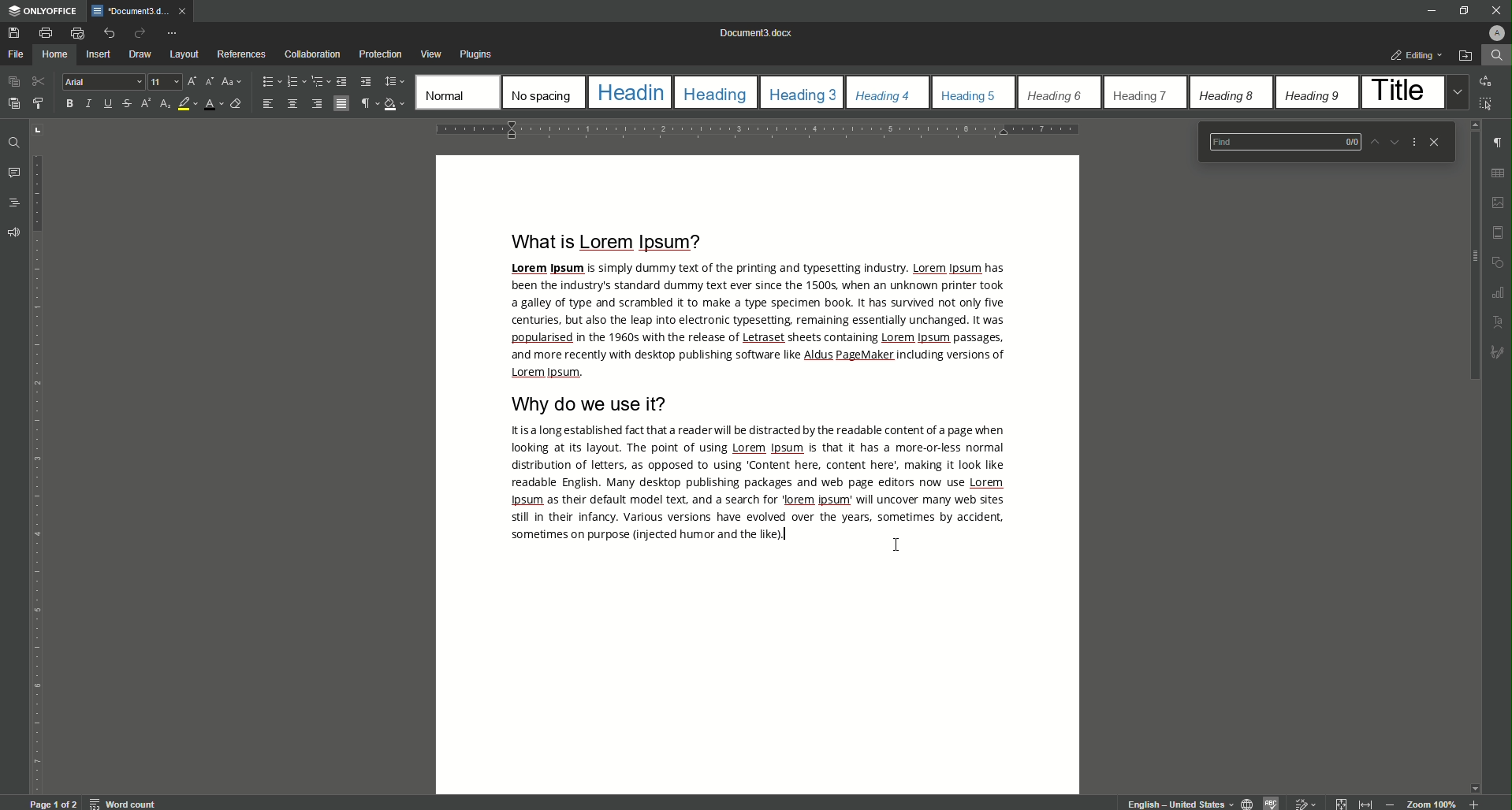 This screenshot has height=810, width=1512. What do you see at coordinates (17, 202) in the screenshot?
I see `Headings` at bounding box center [17, 202].